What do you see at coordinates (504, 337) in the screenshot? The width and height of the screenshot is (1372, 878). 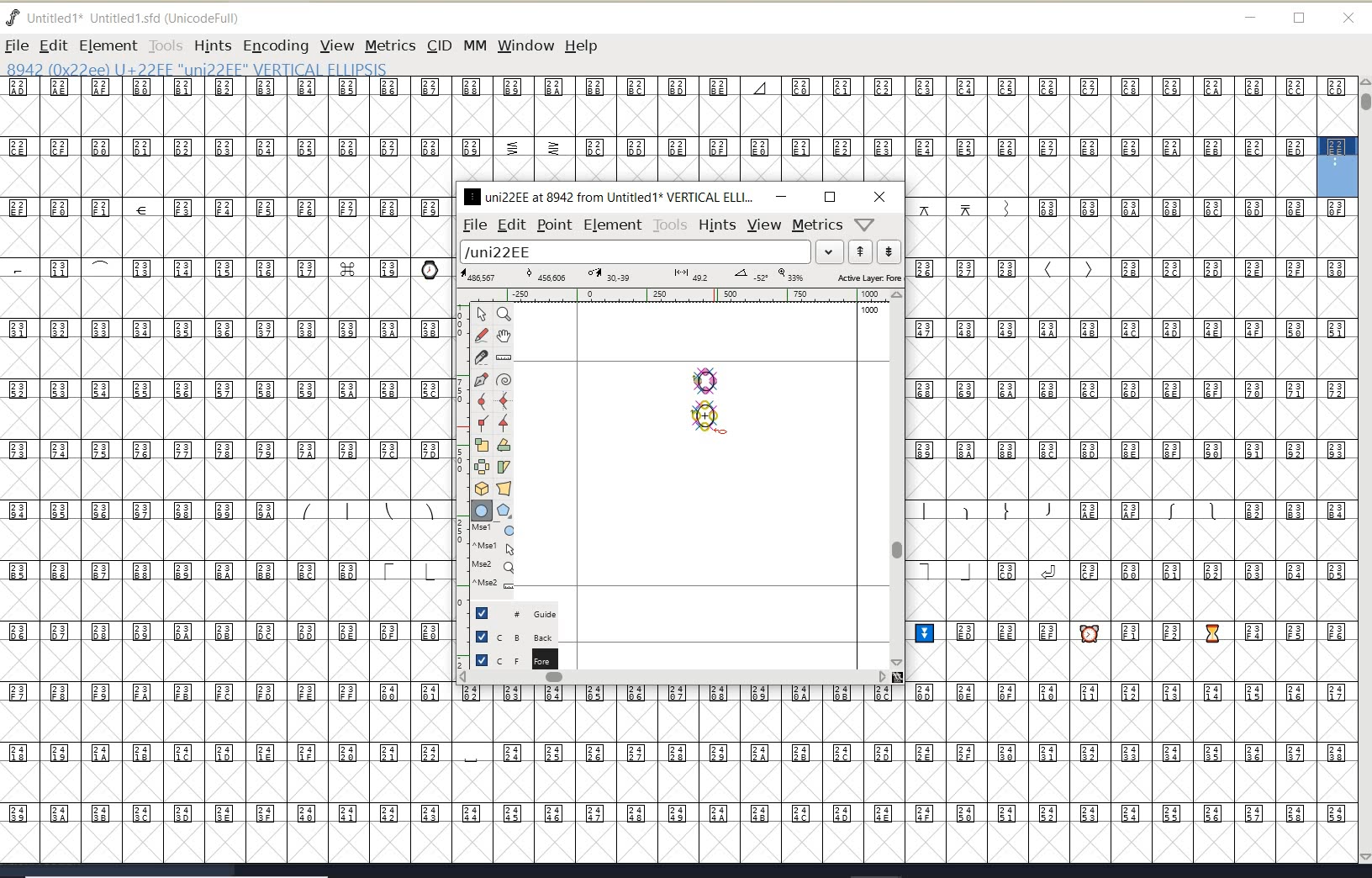 I see `scroll by hand` at bounding box center [504, 337].